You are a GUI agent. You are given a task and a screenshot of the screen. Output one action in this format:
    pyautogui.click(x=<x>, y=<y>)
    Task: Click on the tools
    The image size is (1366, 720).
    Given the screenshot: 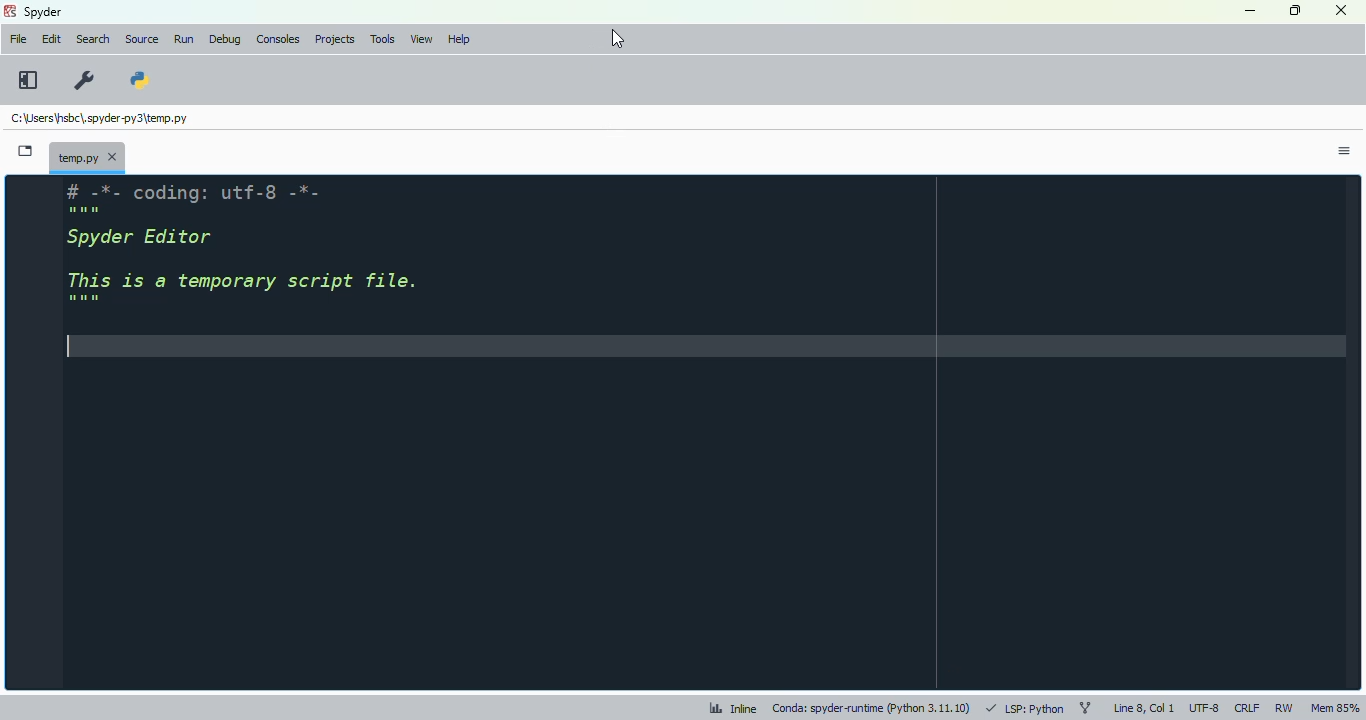 What is the action you would take?
    pyautogui.click(x=383, y=40)
    